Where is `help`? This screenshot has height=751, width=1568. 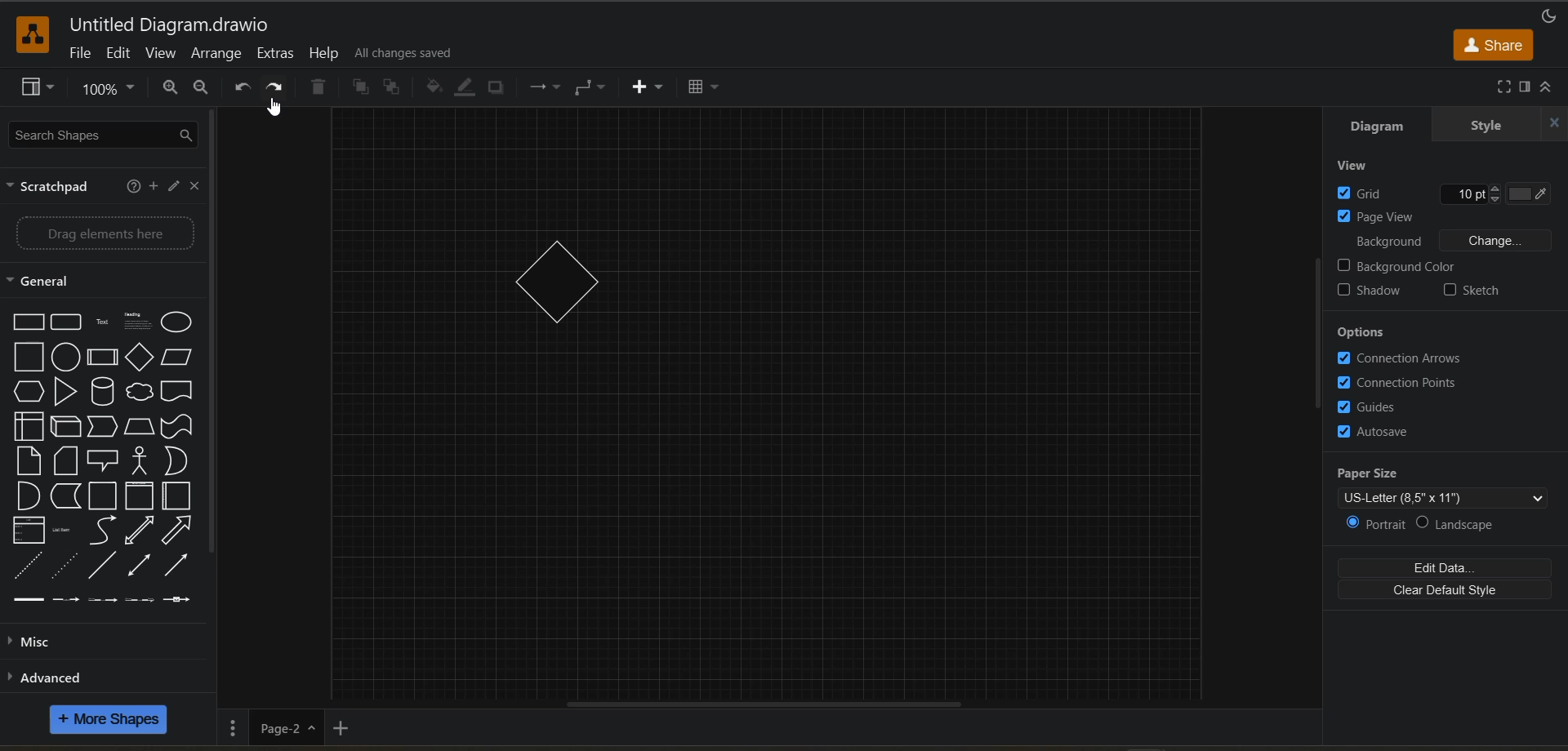 help is located at coordinates (327, 54).